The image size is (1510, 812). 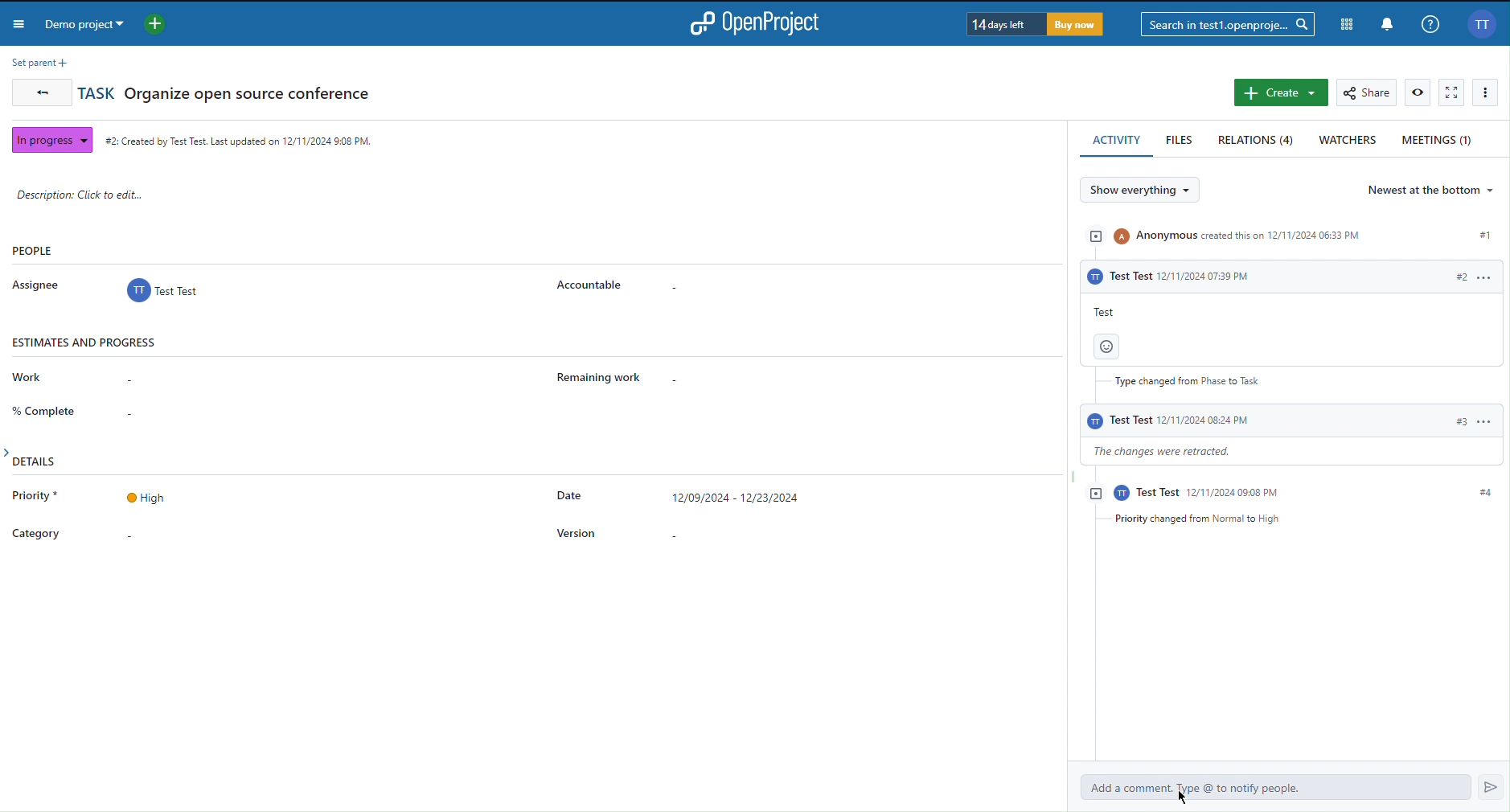 I want to click on Trial Timer, so click(x=1032, y=24).